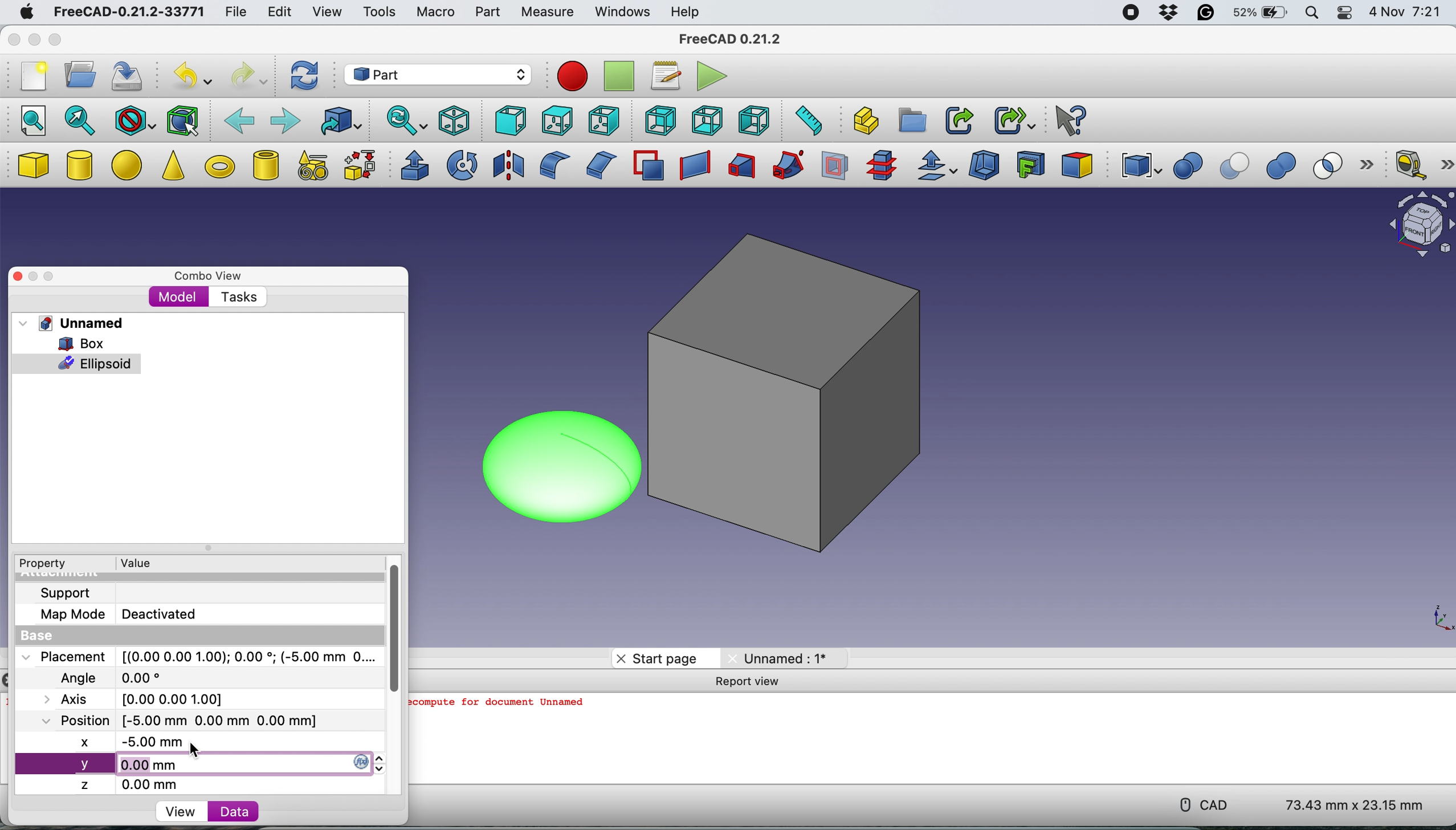 This screenshot has height=830, width=1456. What do you see at coordinates (236, 297) in the screenshot?
I see `tasks` at bounding box center [236, 297].